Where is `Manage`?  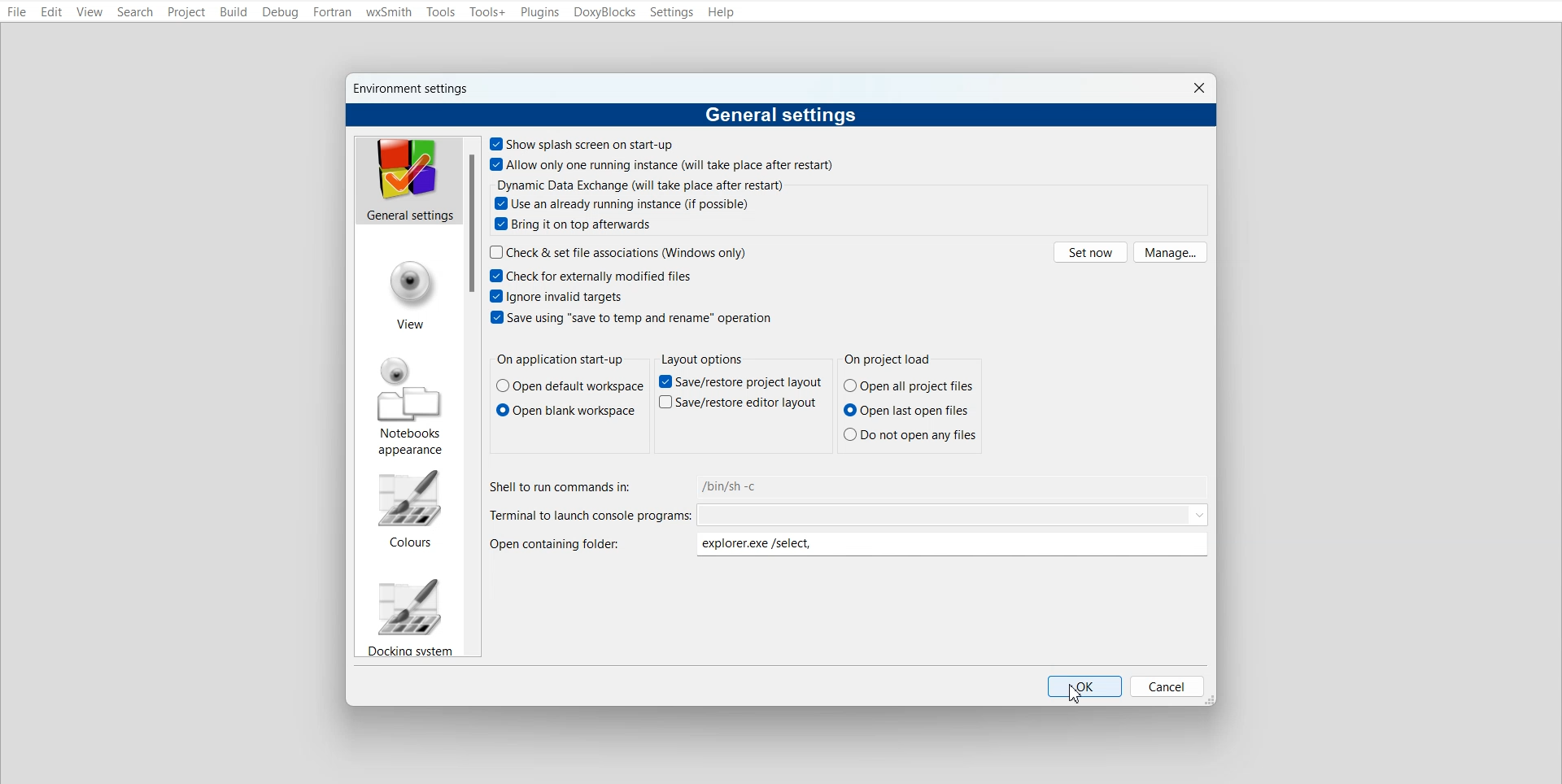 Manage is located at coordinates (1171, 252).